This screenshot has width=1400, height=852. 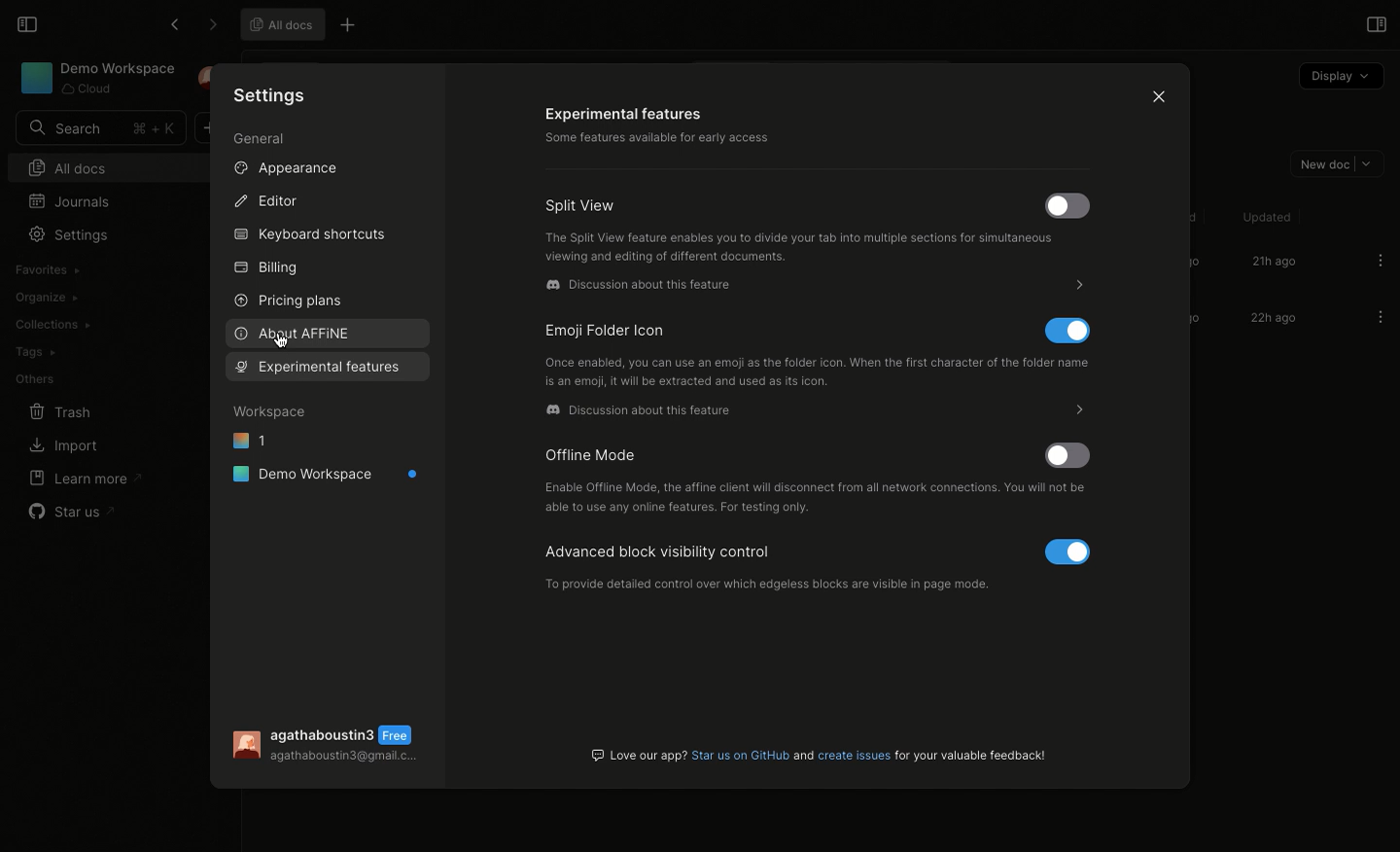 What do you see at coordinates (1374, 23) in the screenshot?
I see `Open right panel` at bounding box center [1374, 23].